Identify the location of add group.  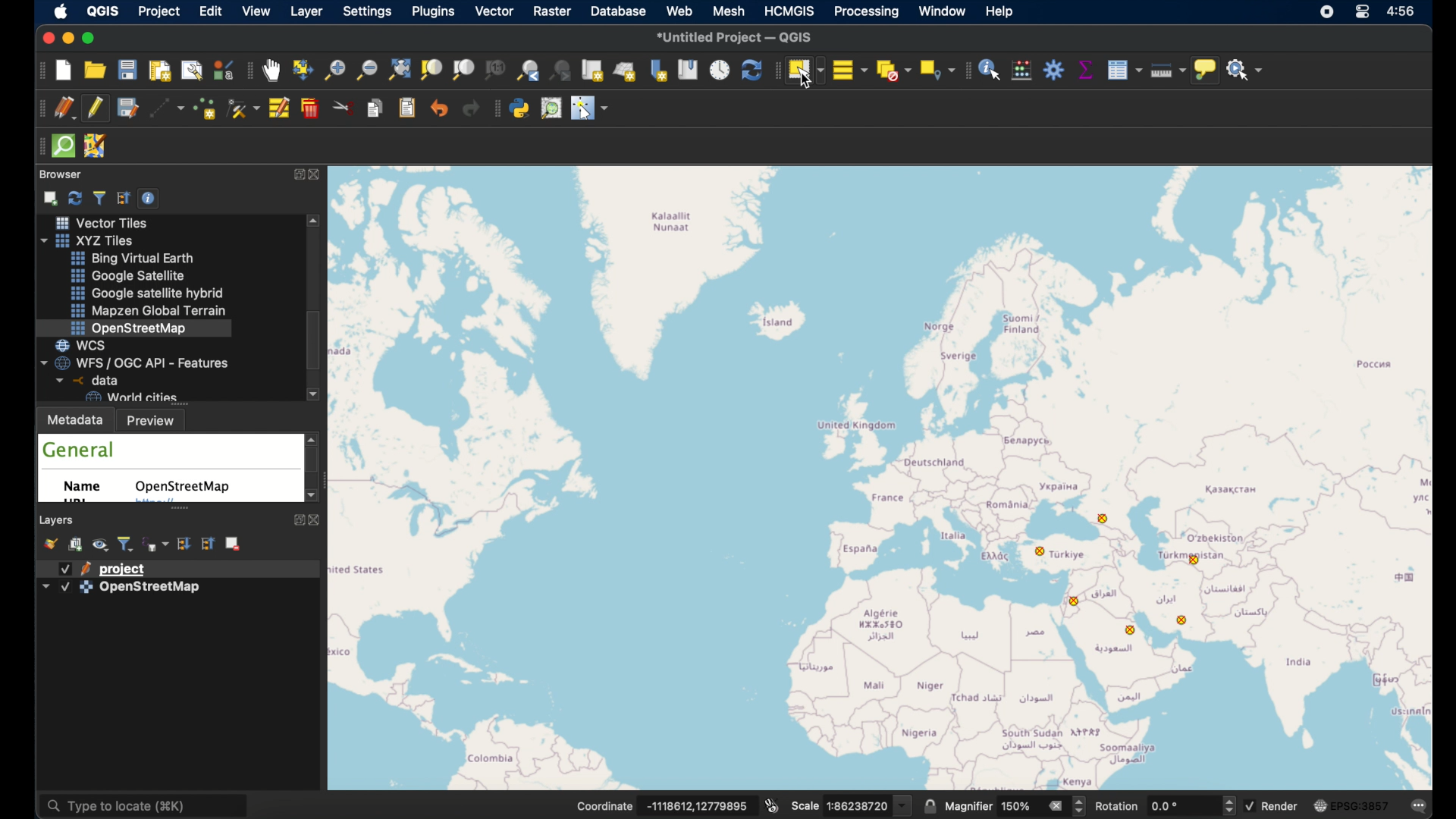
(77, 545).